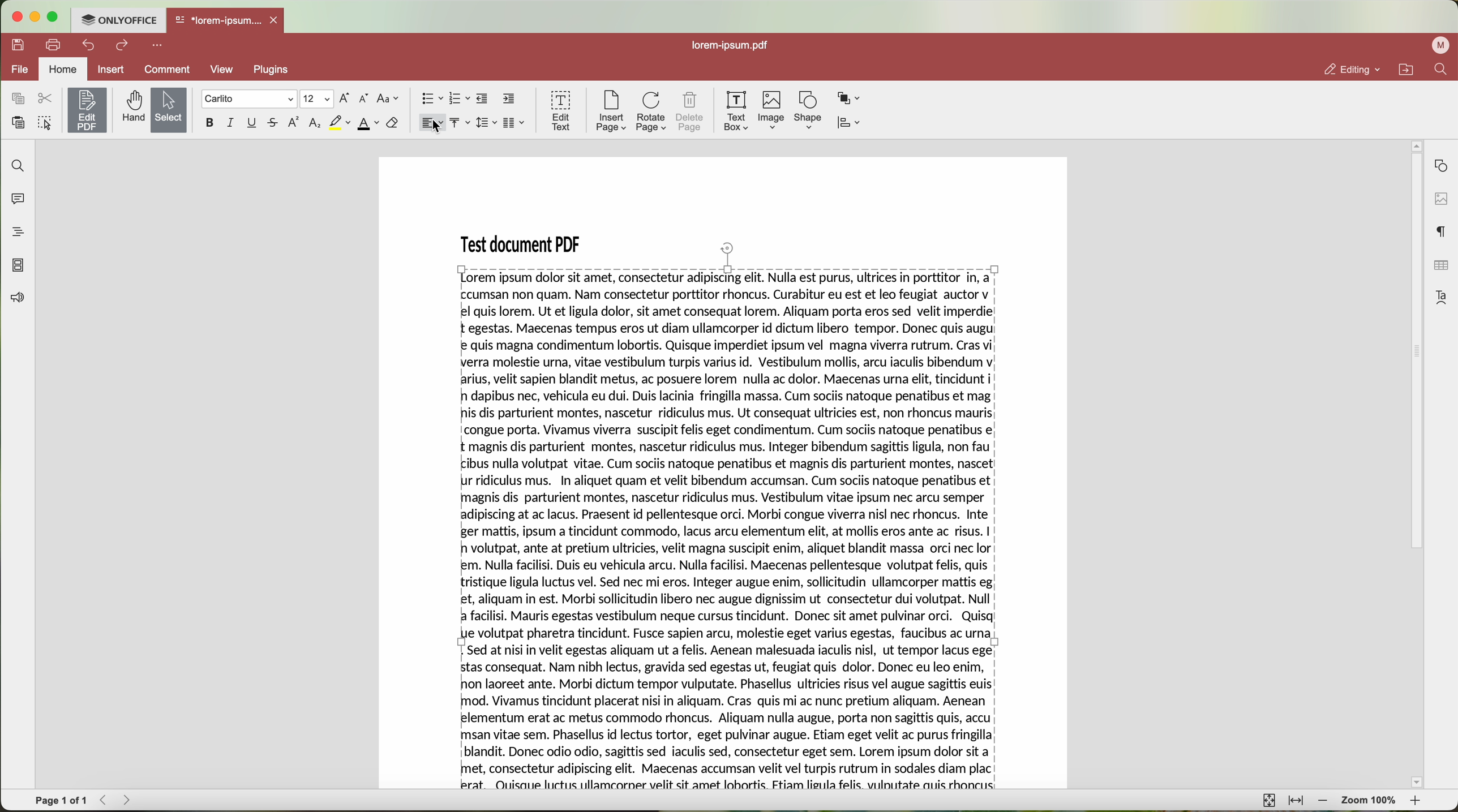 Image resolution: width=1458 pixels, height=812 pixels. I want to click on cut, so click(46, 99).